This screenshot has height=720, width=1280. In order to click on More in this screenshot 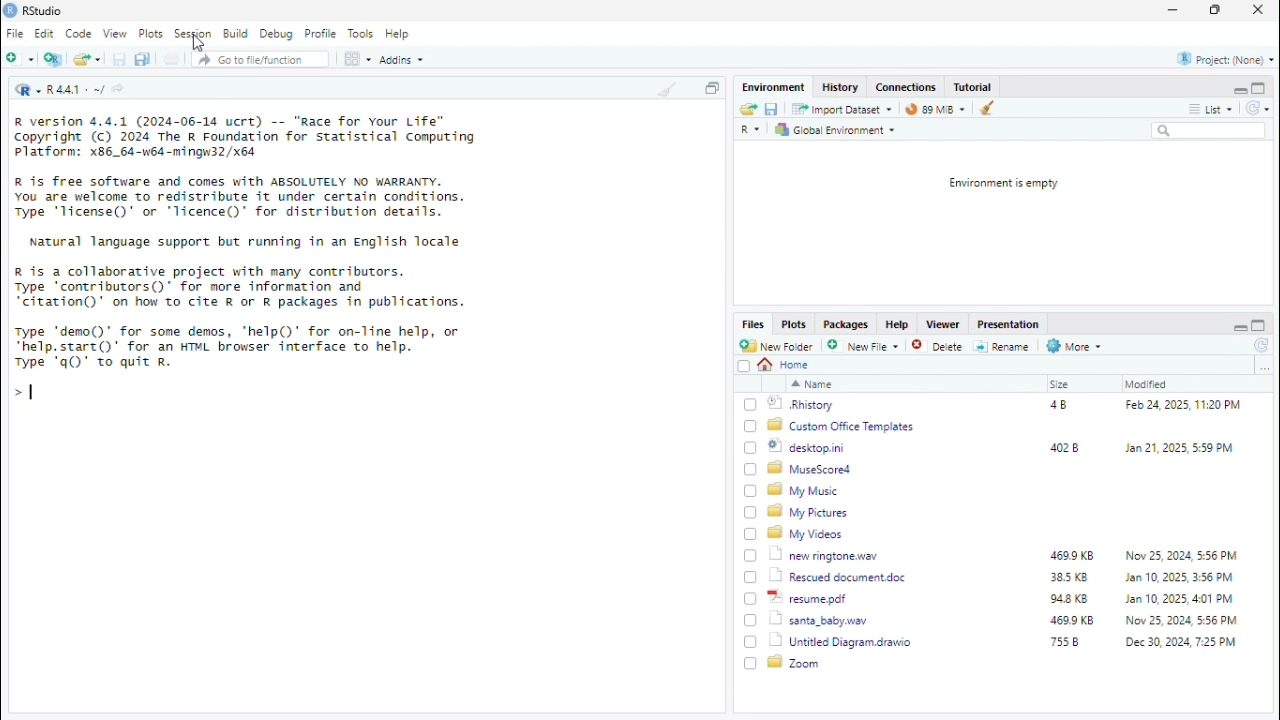, I will do `click(1075, 346)`.